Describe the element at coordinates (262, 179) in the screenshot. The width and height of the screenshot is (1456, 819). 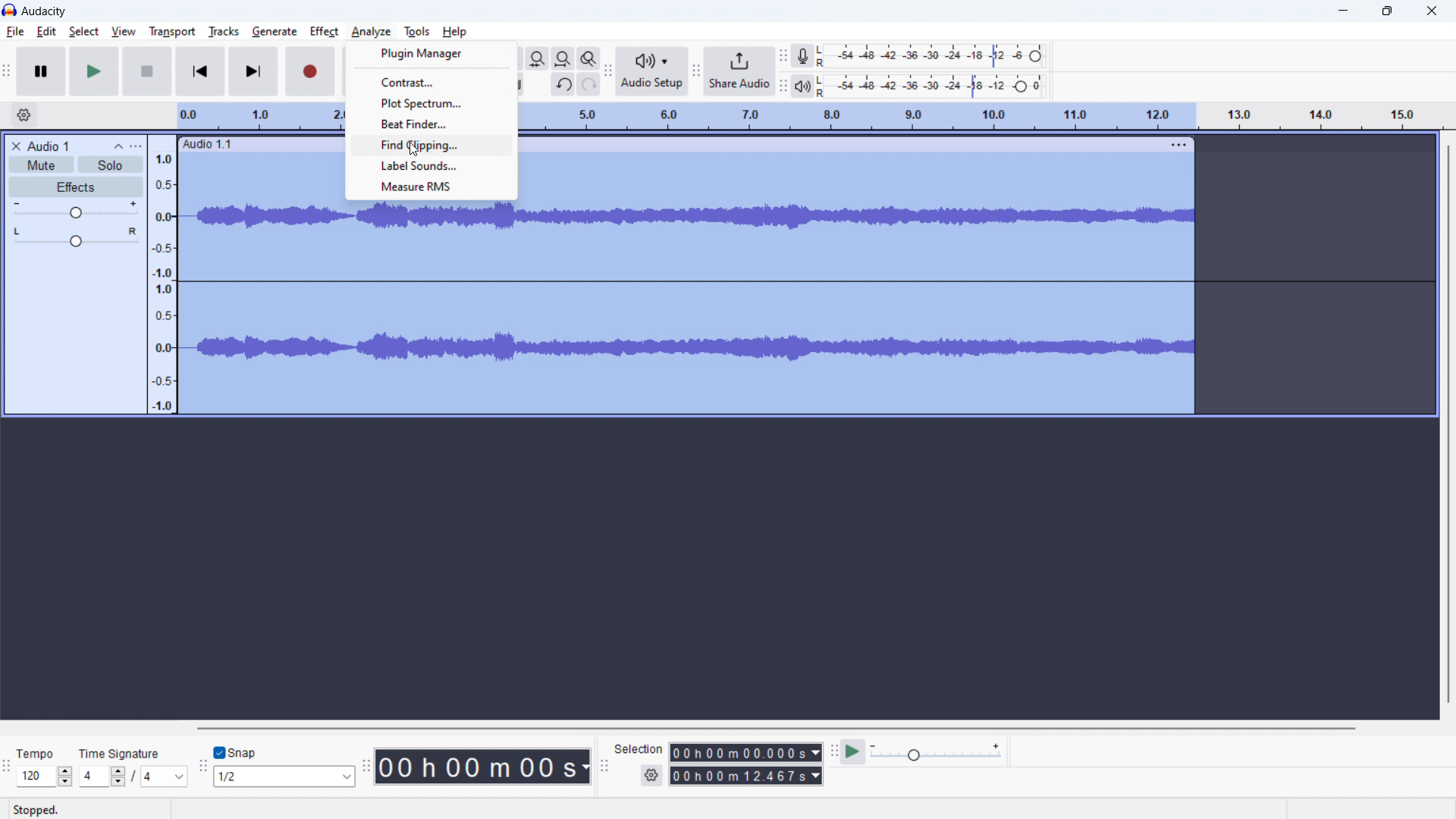
I see `Track selected` at that location.